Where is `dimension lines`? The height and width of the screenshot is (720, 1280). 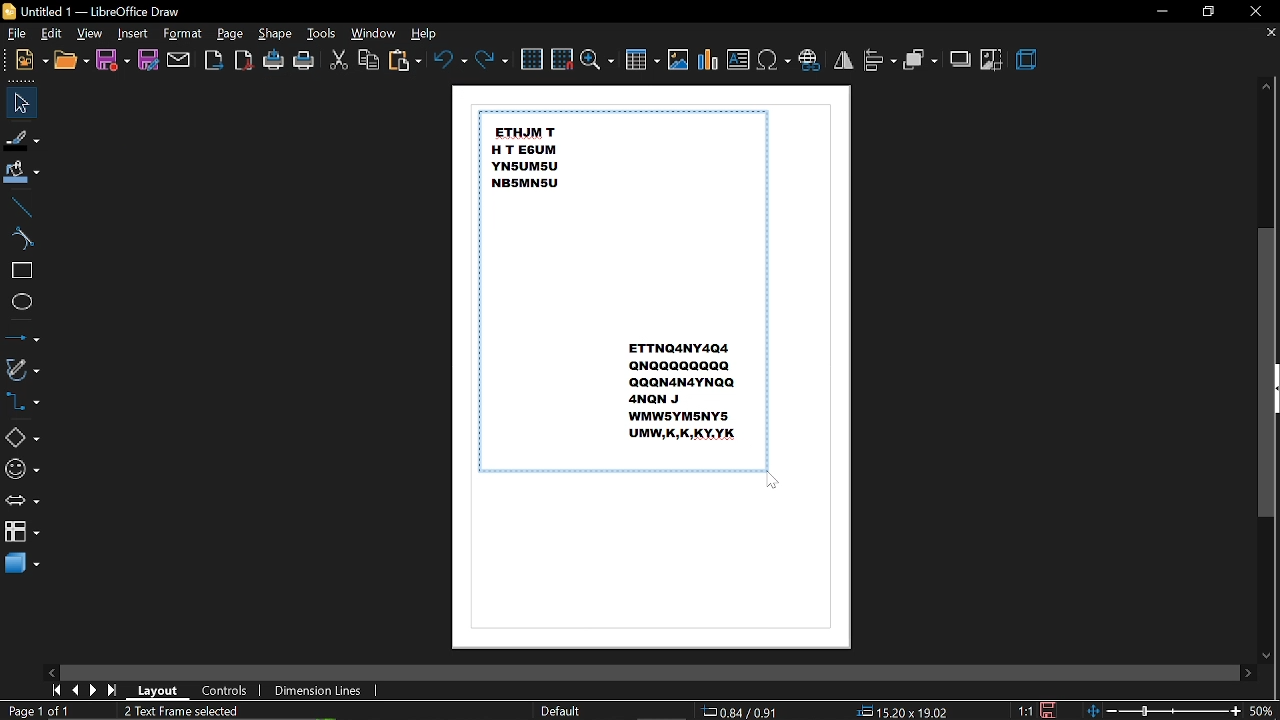
dimension lines is located at coordinates (318, 690).